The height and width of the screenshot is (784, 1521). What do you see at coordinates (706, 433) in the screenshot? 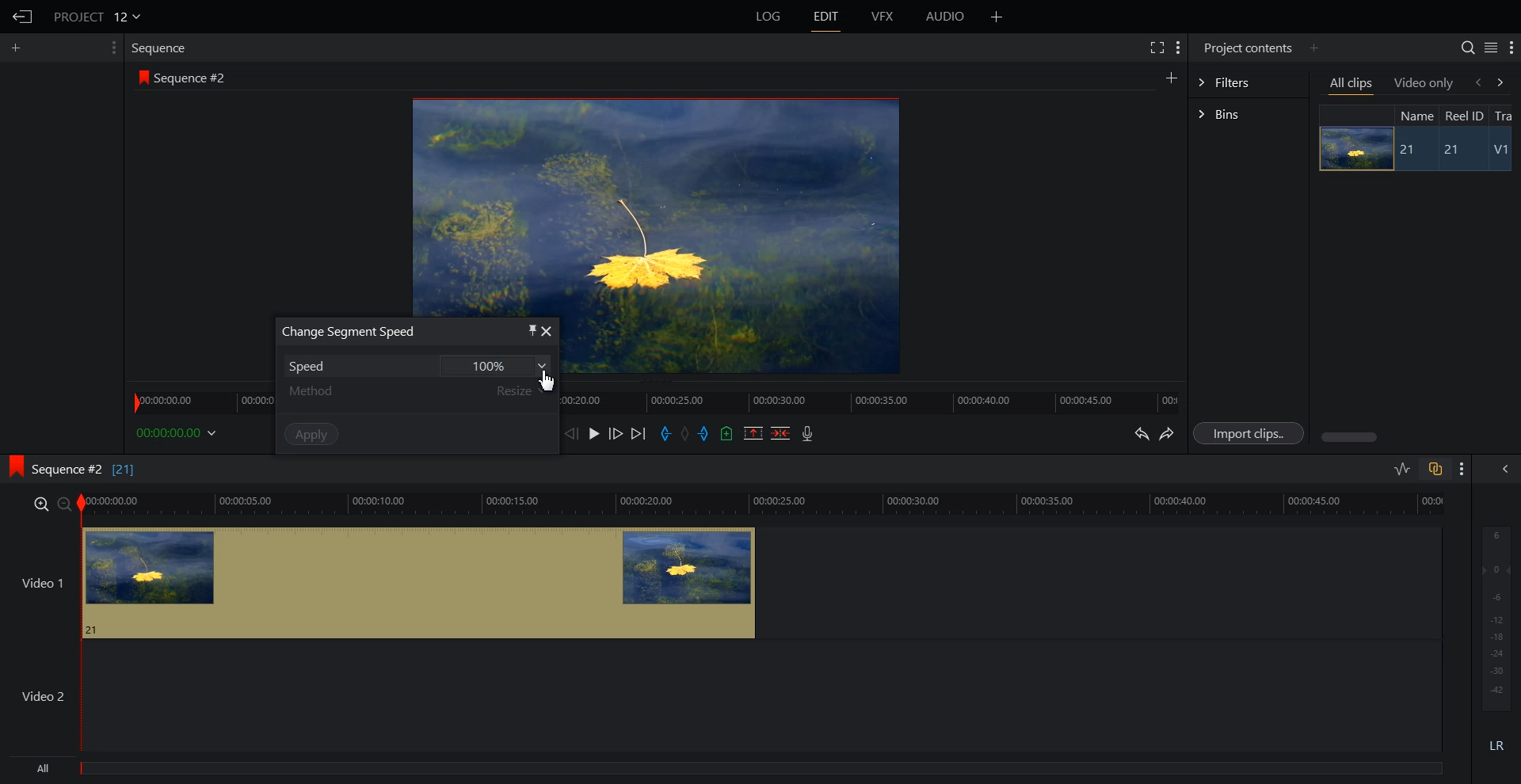
I see `Add an out Mark in current position` at bounding box center [706, 433].